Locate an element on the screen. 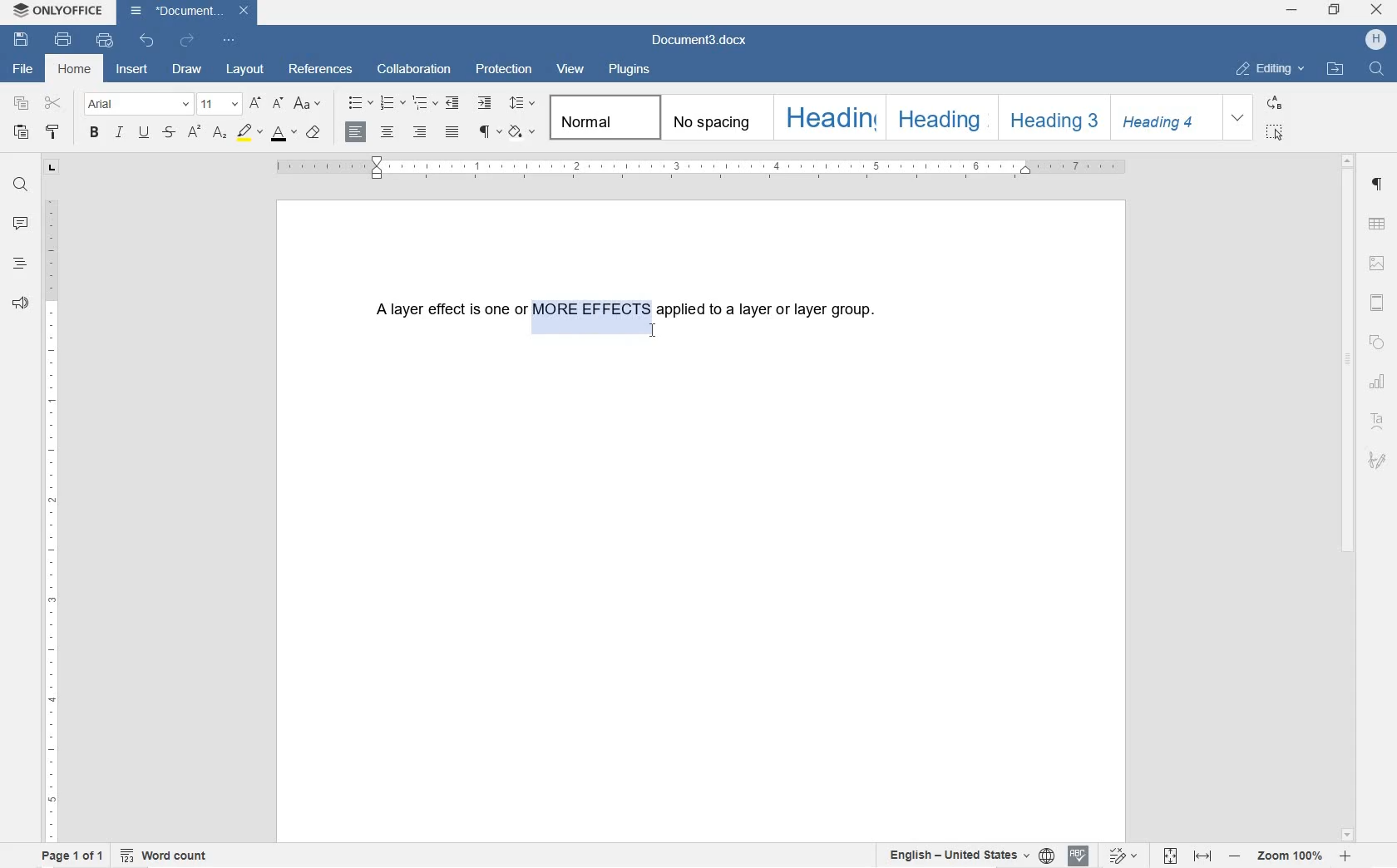  NO SPACING is located at coordinates (712, 117).